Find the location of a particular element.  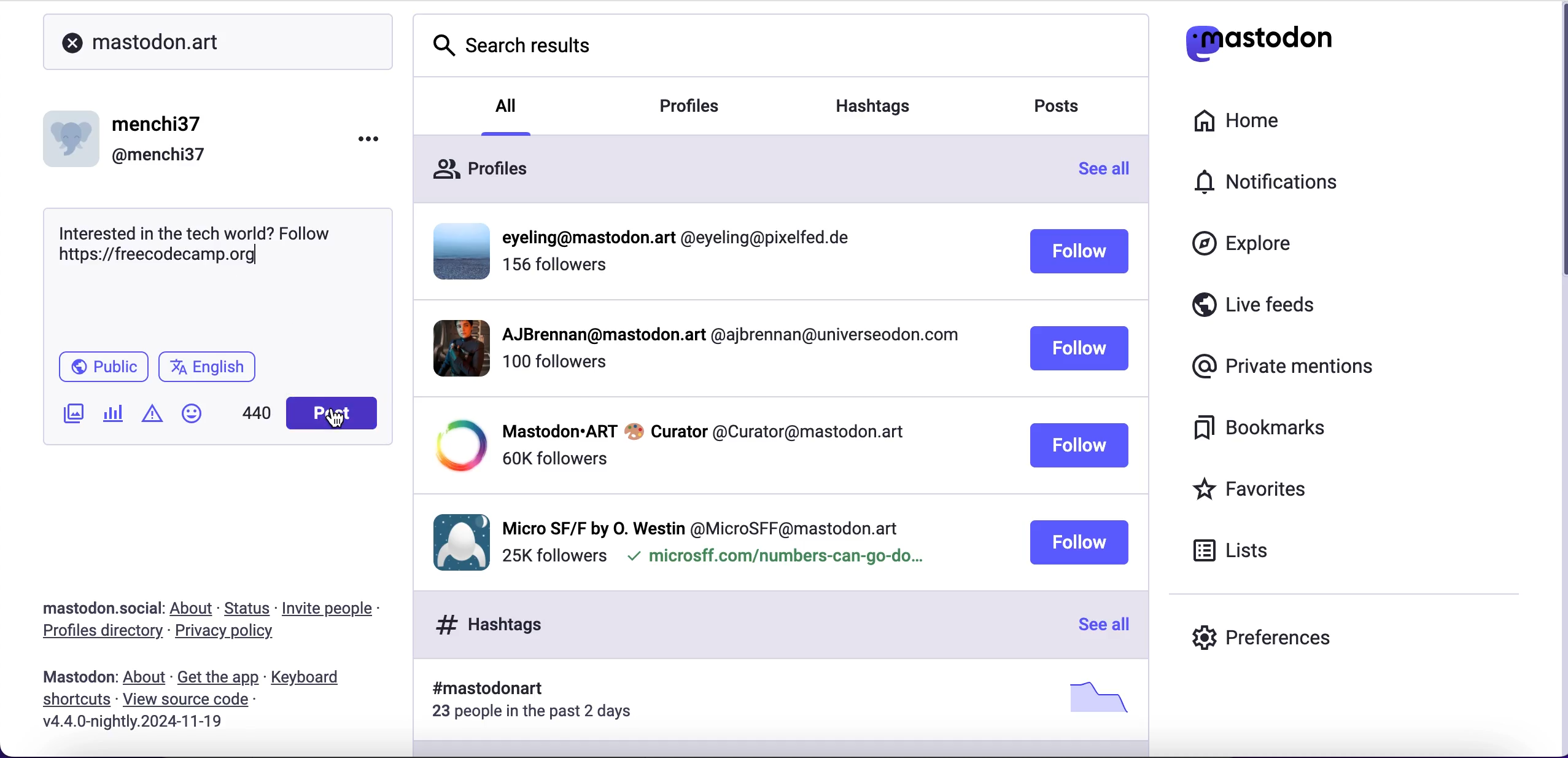

follow is located at coordinates (1078, 445).